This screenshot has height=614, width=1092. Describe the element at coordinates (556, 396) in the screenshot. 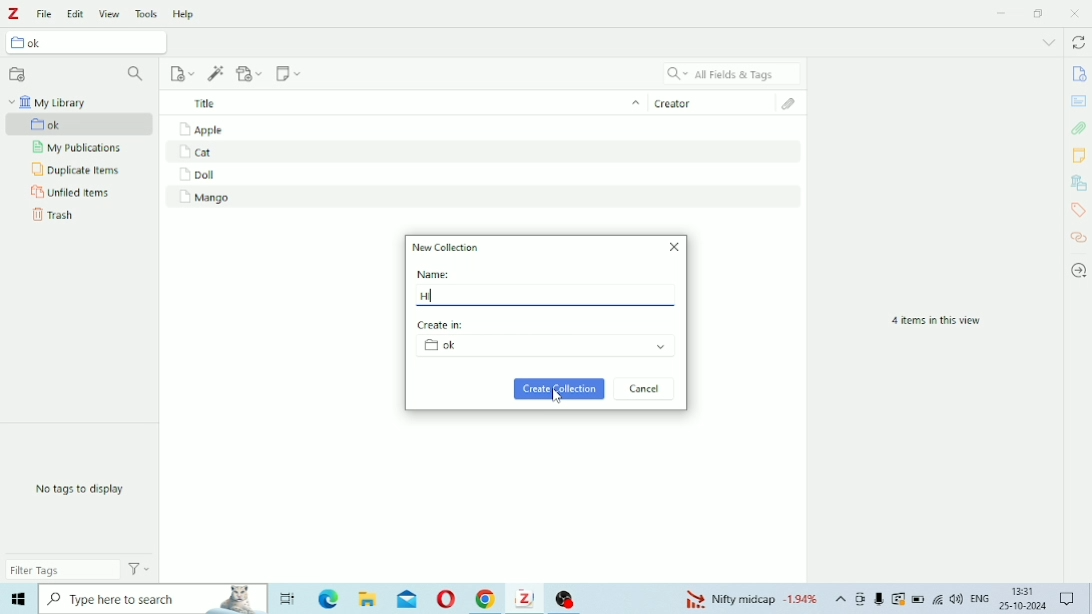

I see `Cursor` at that location.